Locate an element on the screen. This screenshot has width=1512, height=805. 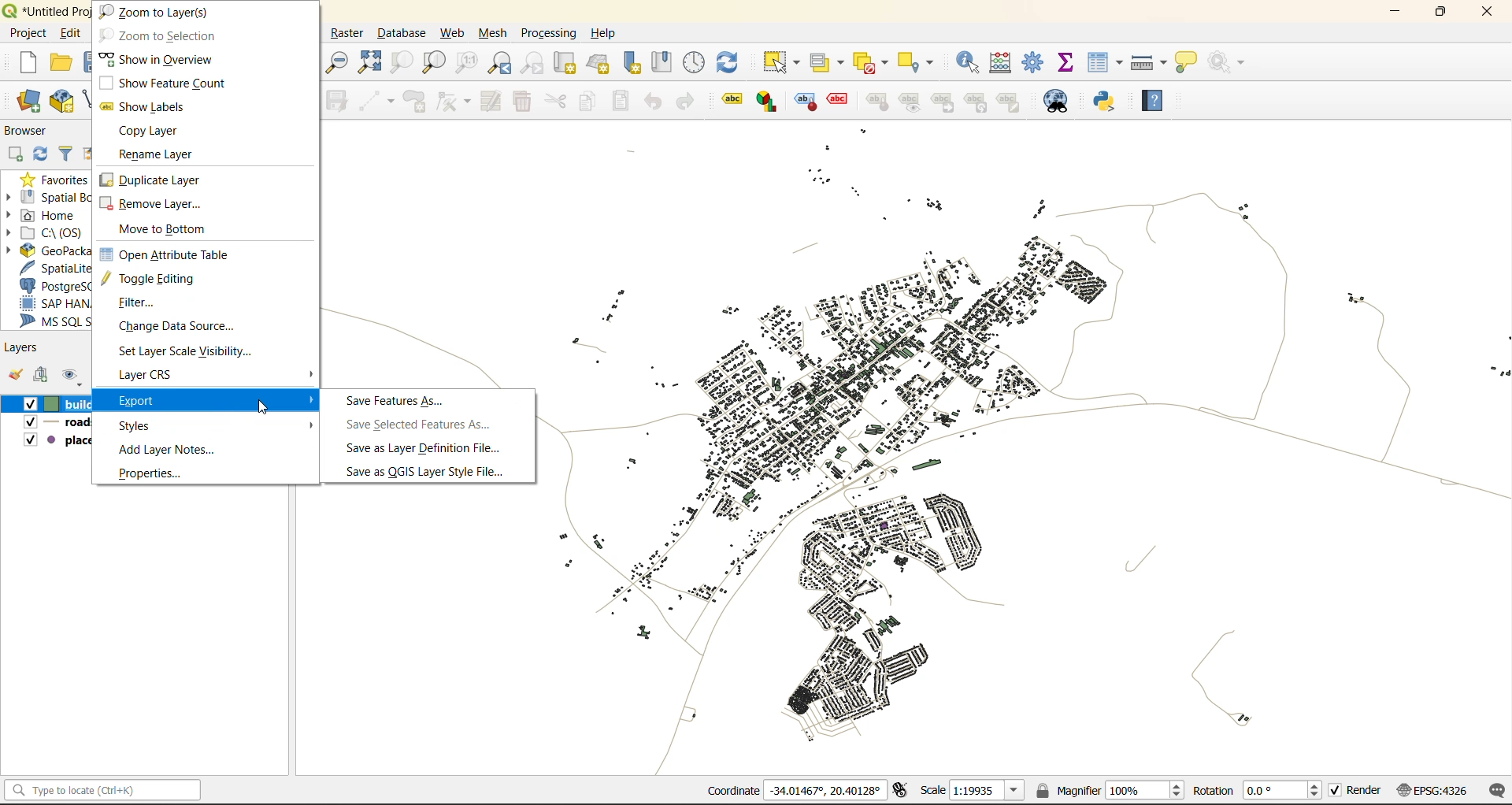
styles is located at coordinates (148, 425).